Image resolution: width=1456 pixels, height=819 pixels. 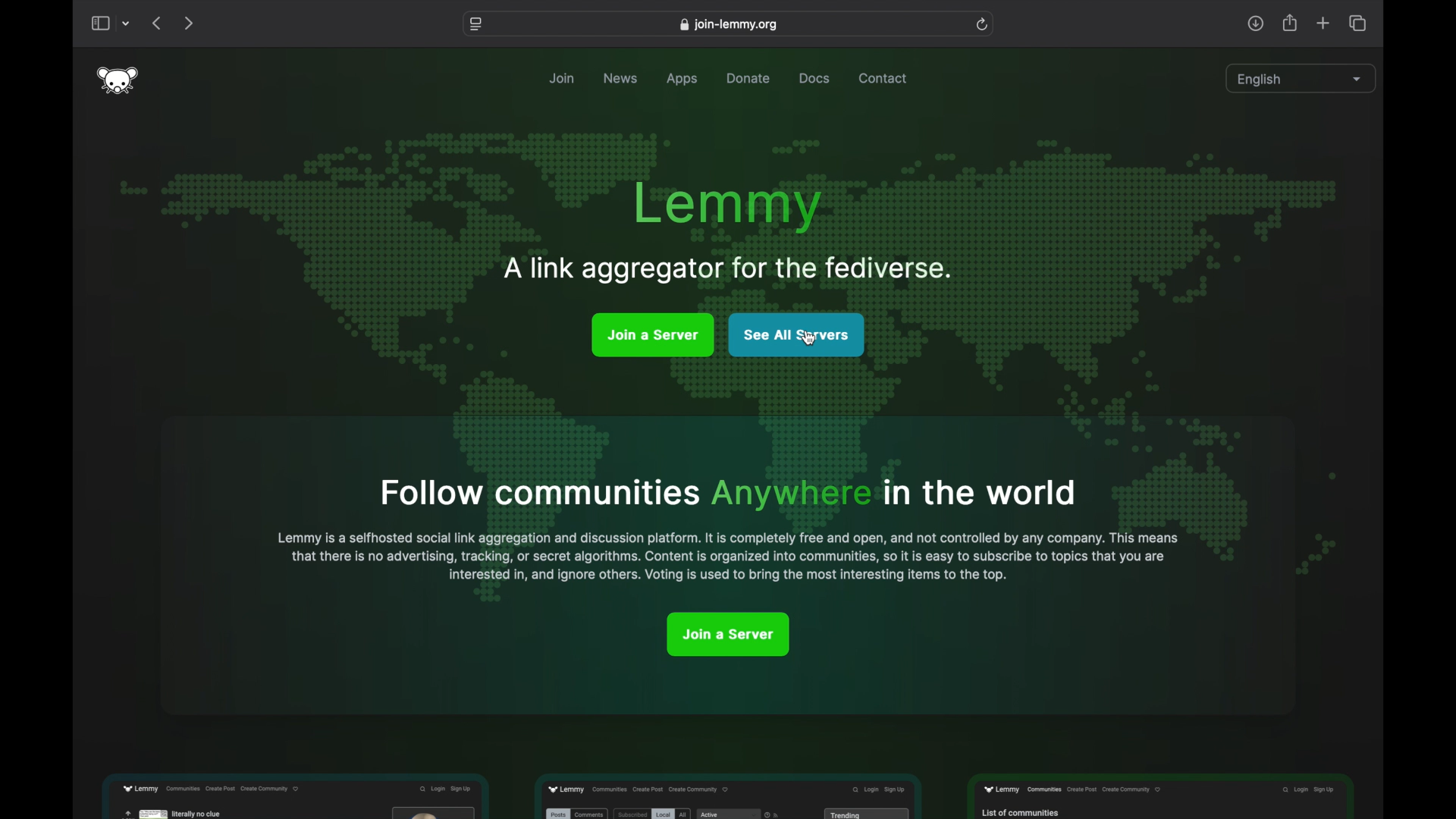 What do you see at coordinates (1256, 23) in the screenshot?
I see `downloads` at bounding box center [1256, 23].